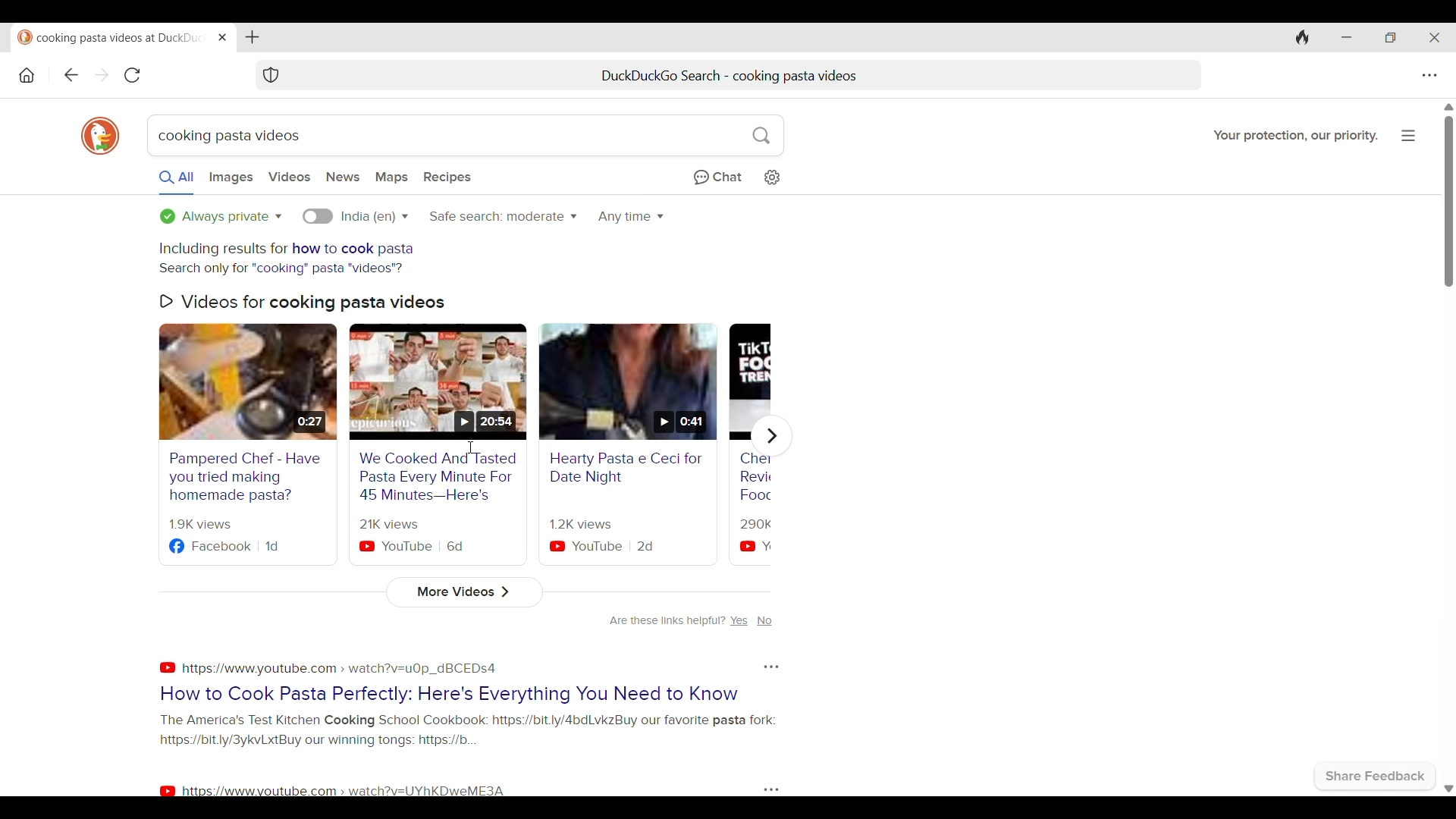 The height and width of the screenshot is (819, 1456). What do you see at coordinates (504, 216) in the screenshot?
I see `Safe search options` at bounding box center [504, 216].